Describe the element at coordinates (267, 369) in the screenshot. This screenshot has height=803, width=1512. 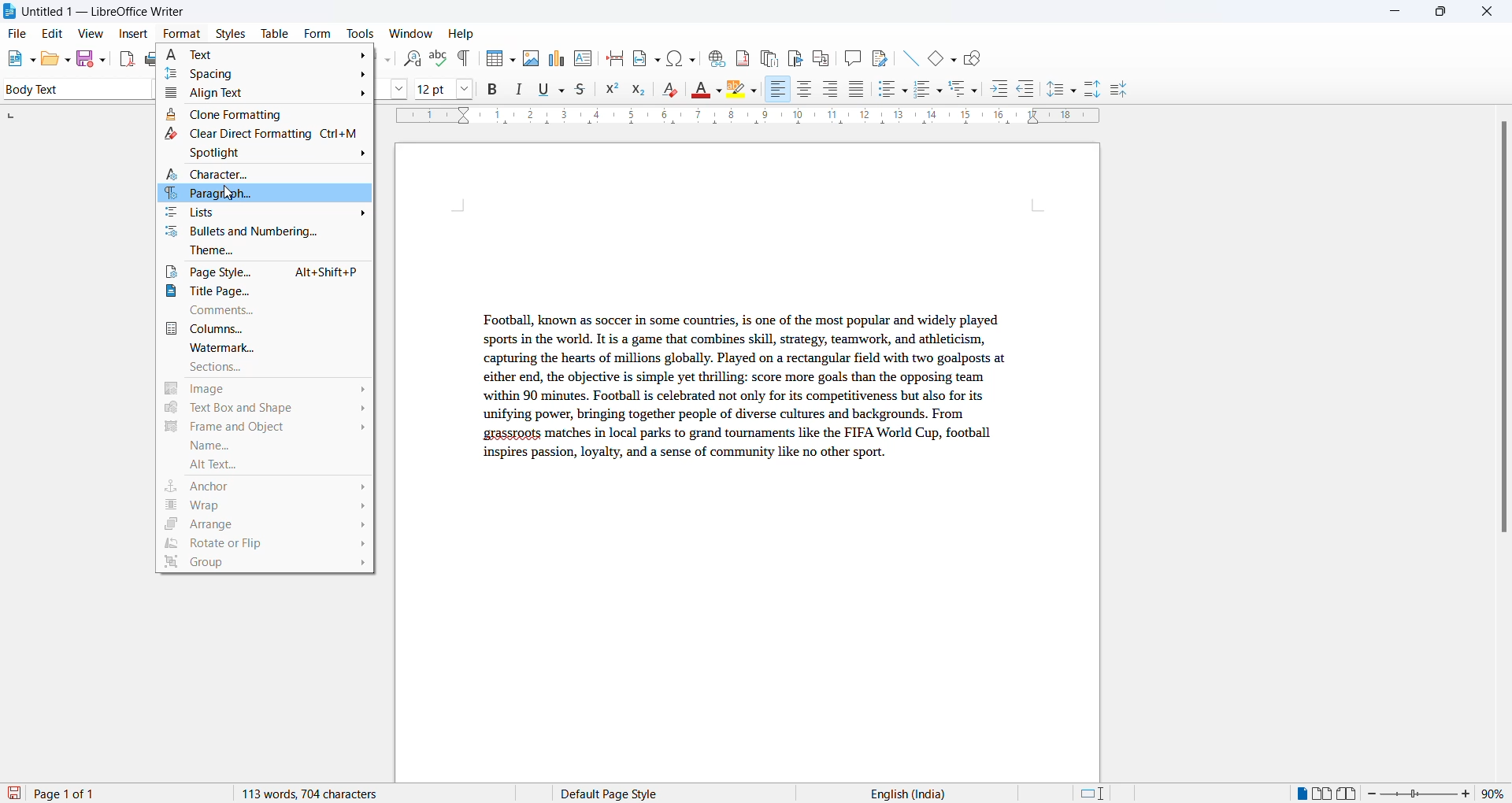
I see `sections` at that location.